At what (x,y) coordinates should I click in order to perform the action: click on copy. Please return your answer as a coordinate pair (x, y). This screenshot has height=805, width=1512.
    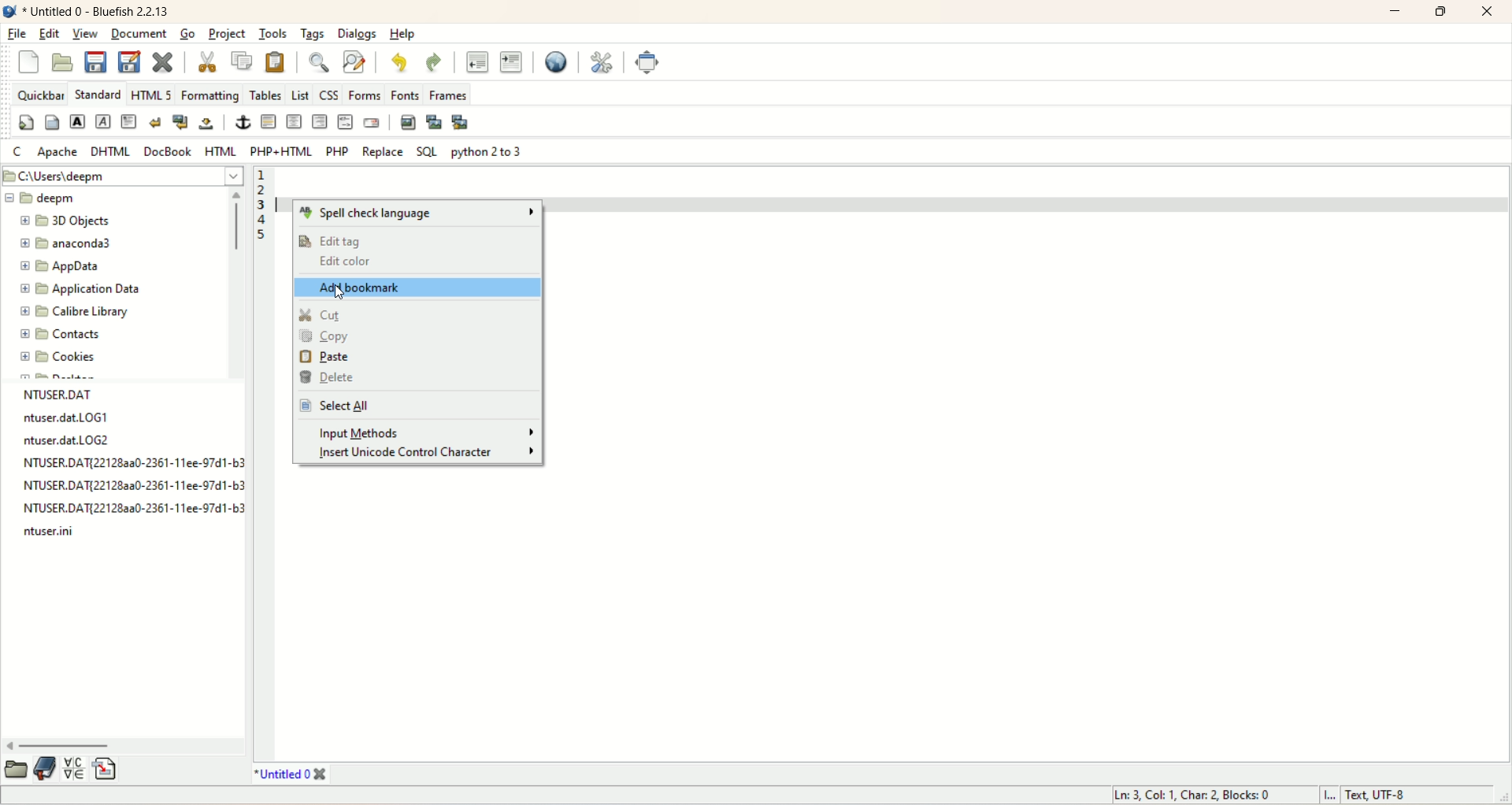
    Looking at the image, I should click on (243, 61).